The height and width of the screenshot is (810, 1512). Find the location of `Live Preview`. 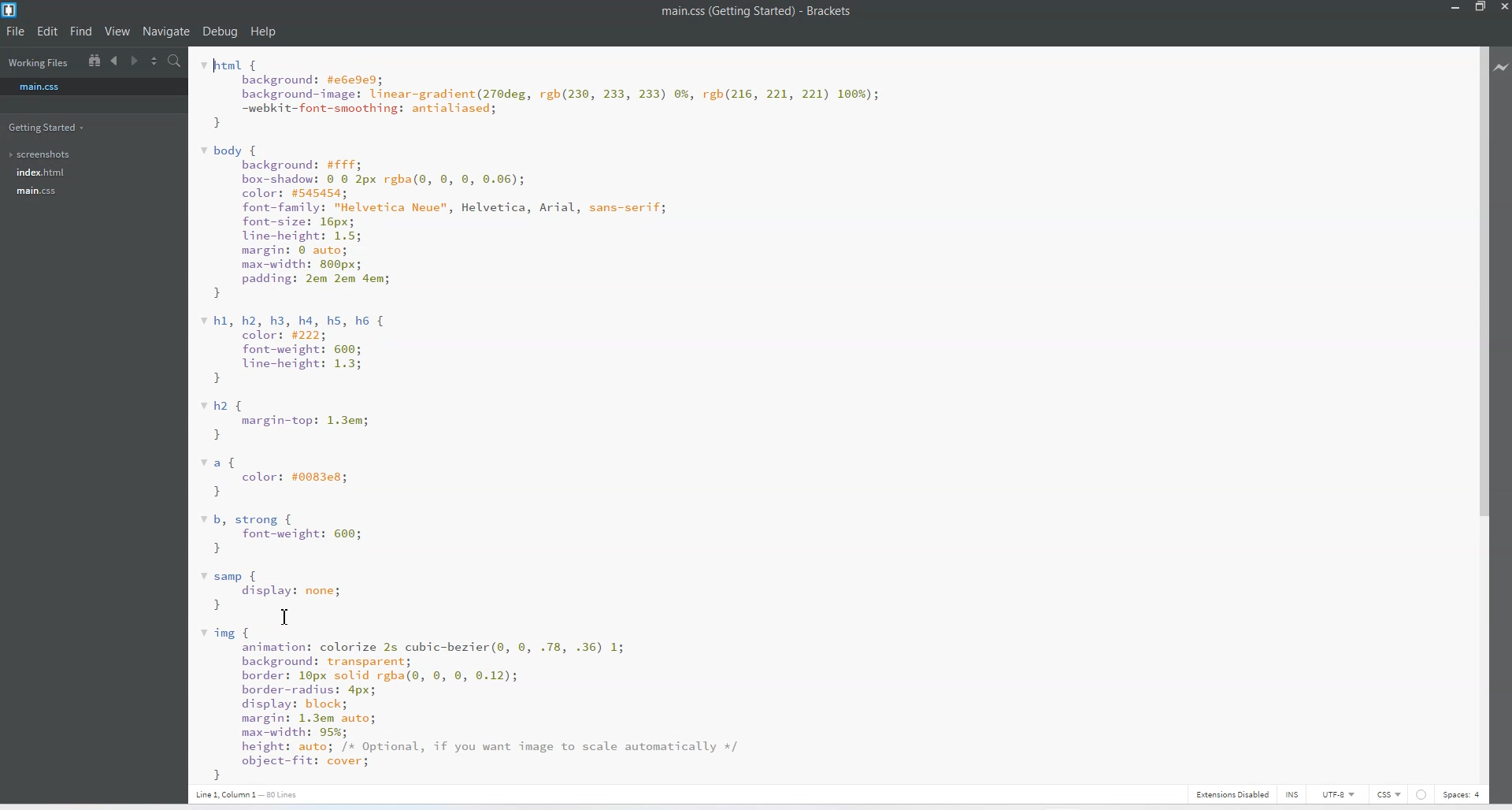

Live Preview is located at coordinates (1502, 65).